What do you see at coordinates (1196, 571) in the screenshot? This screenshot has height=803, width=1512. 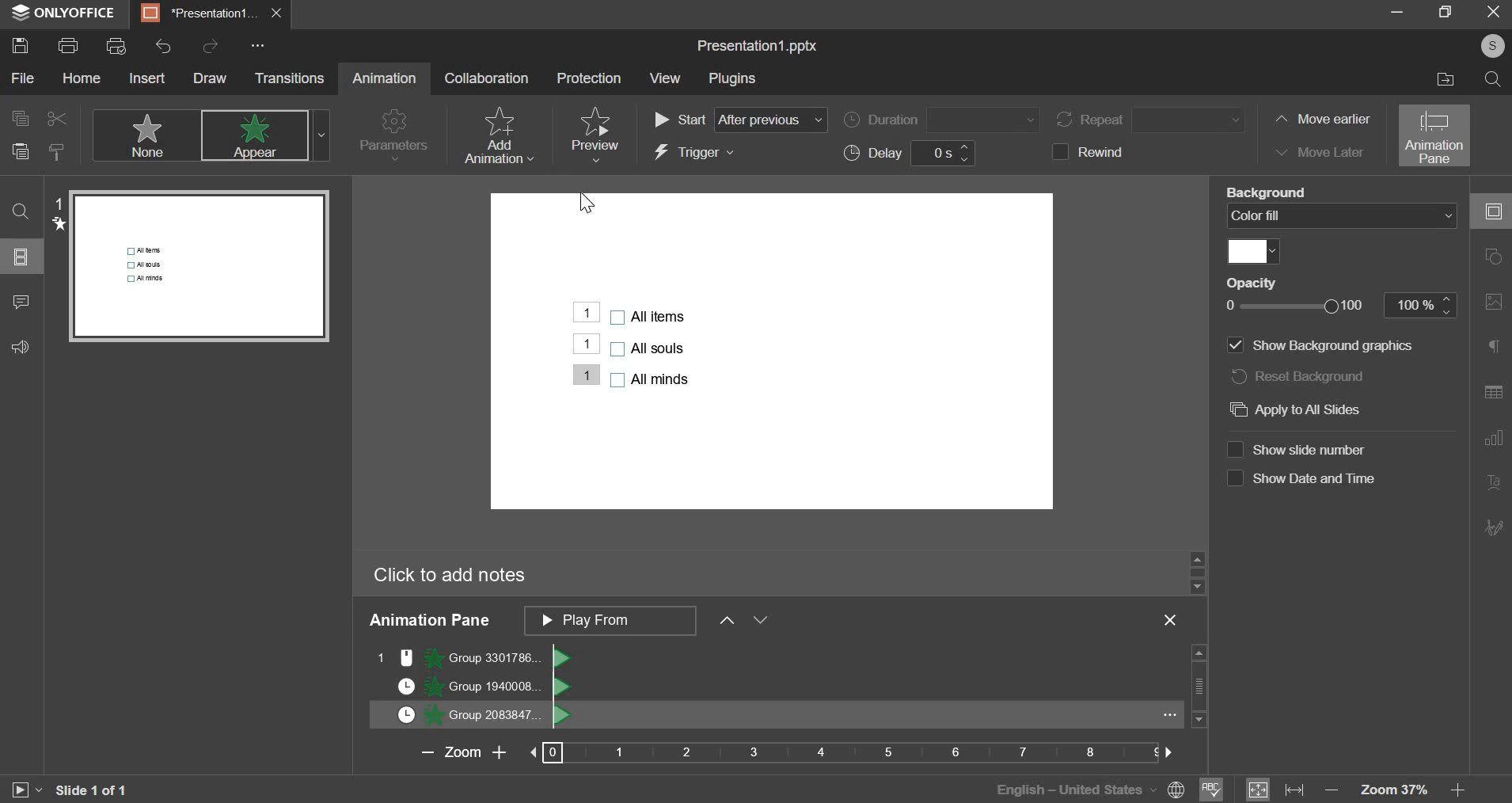 I see `slider` at bounding box center [1196, 571].